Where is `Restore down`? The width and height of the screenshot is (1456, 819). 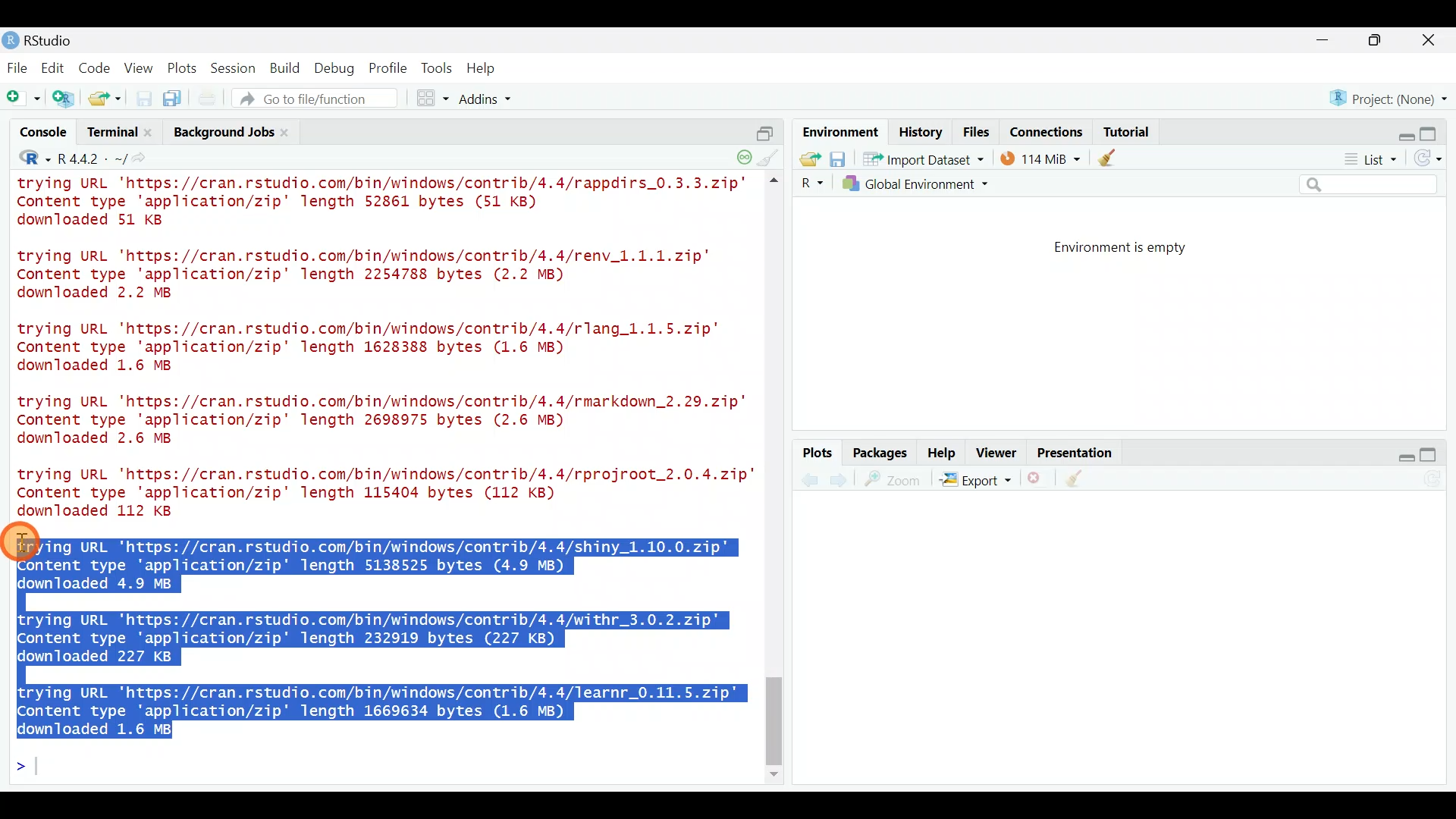
Restore down is located at coordinates (1398, 455).